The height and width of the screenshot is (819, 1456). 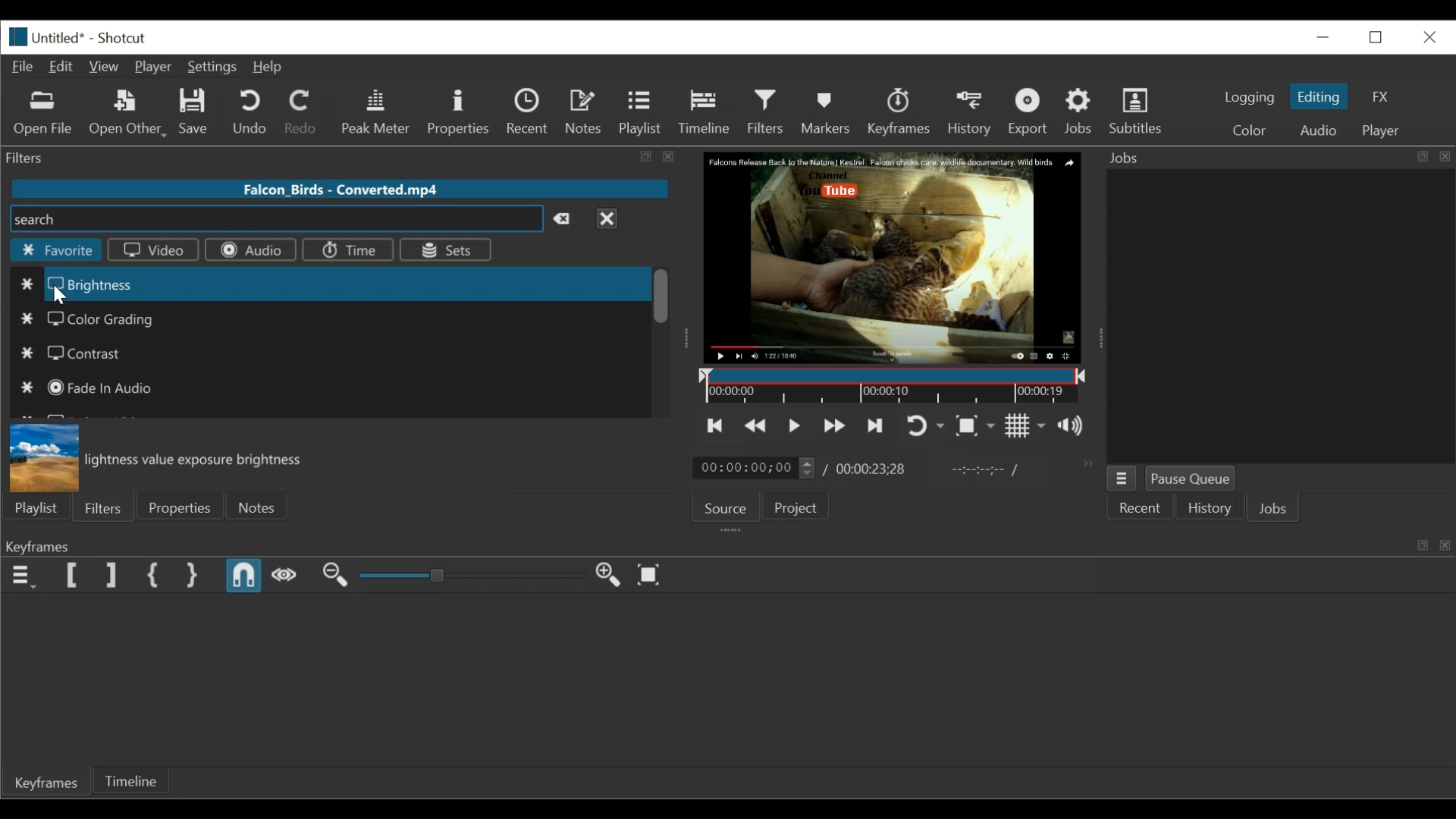 I want to click on Properties, so click(x=459, y=113).